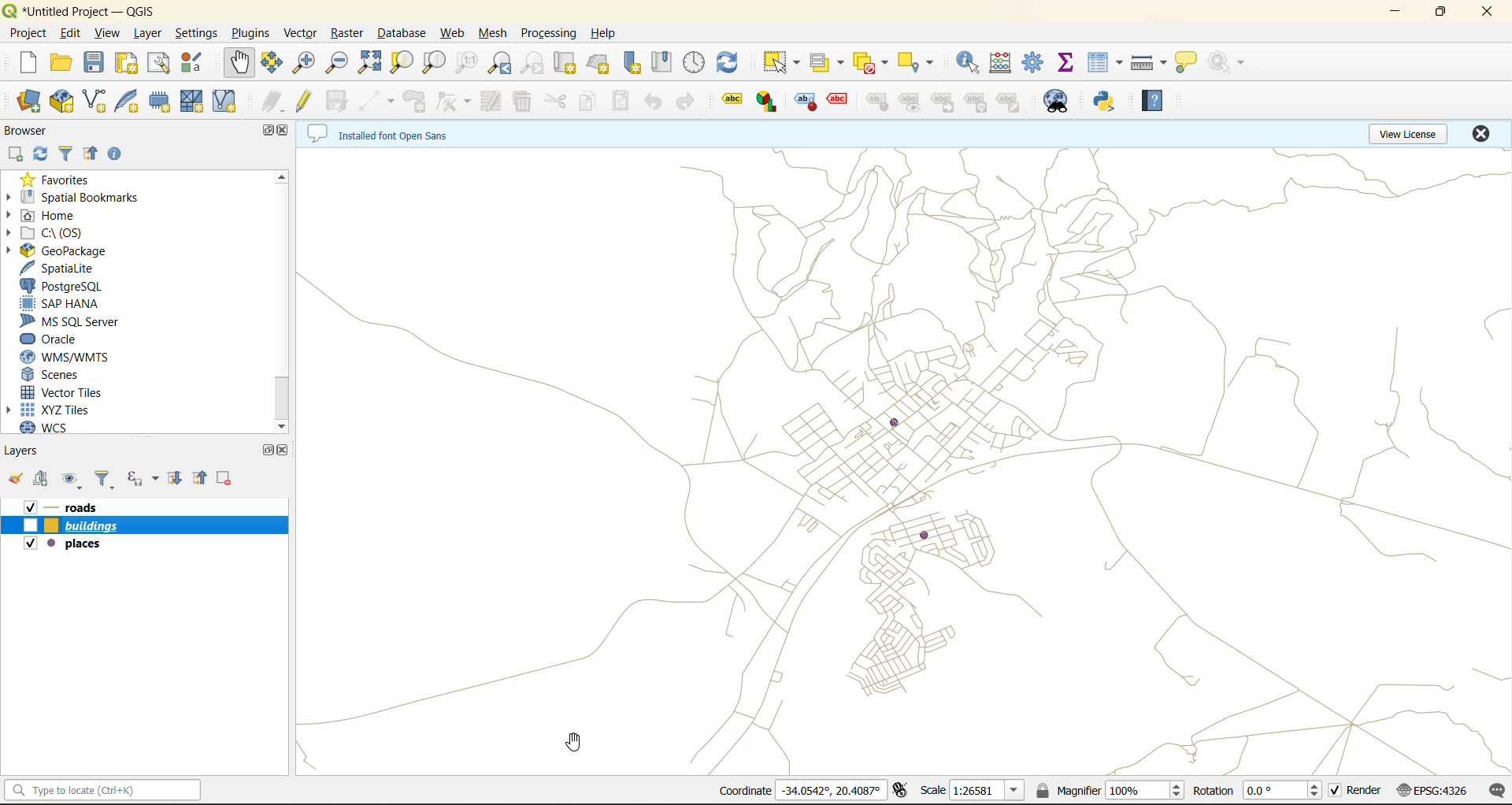 The width and height of the screenshot is (1512, 805). What do you see at coordinates (57, 64) in the screenshot?
I see `open` at bounding box center [57, 64].